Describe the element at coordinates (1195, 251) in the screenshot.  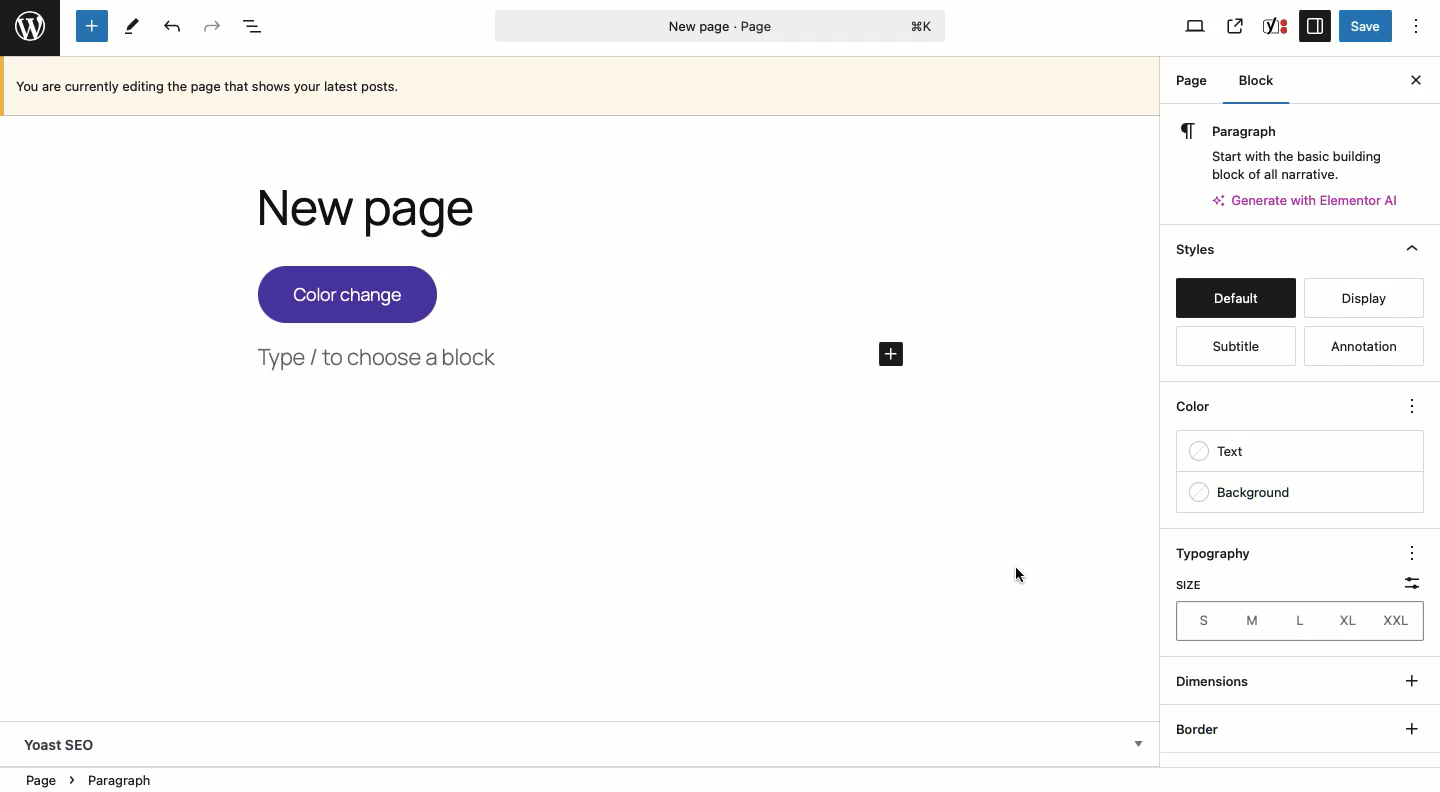
I see `Styles` at that location.